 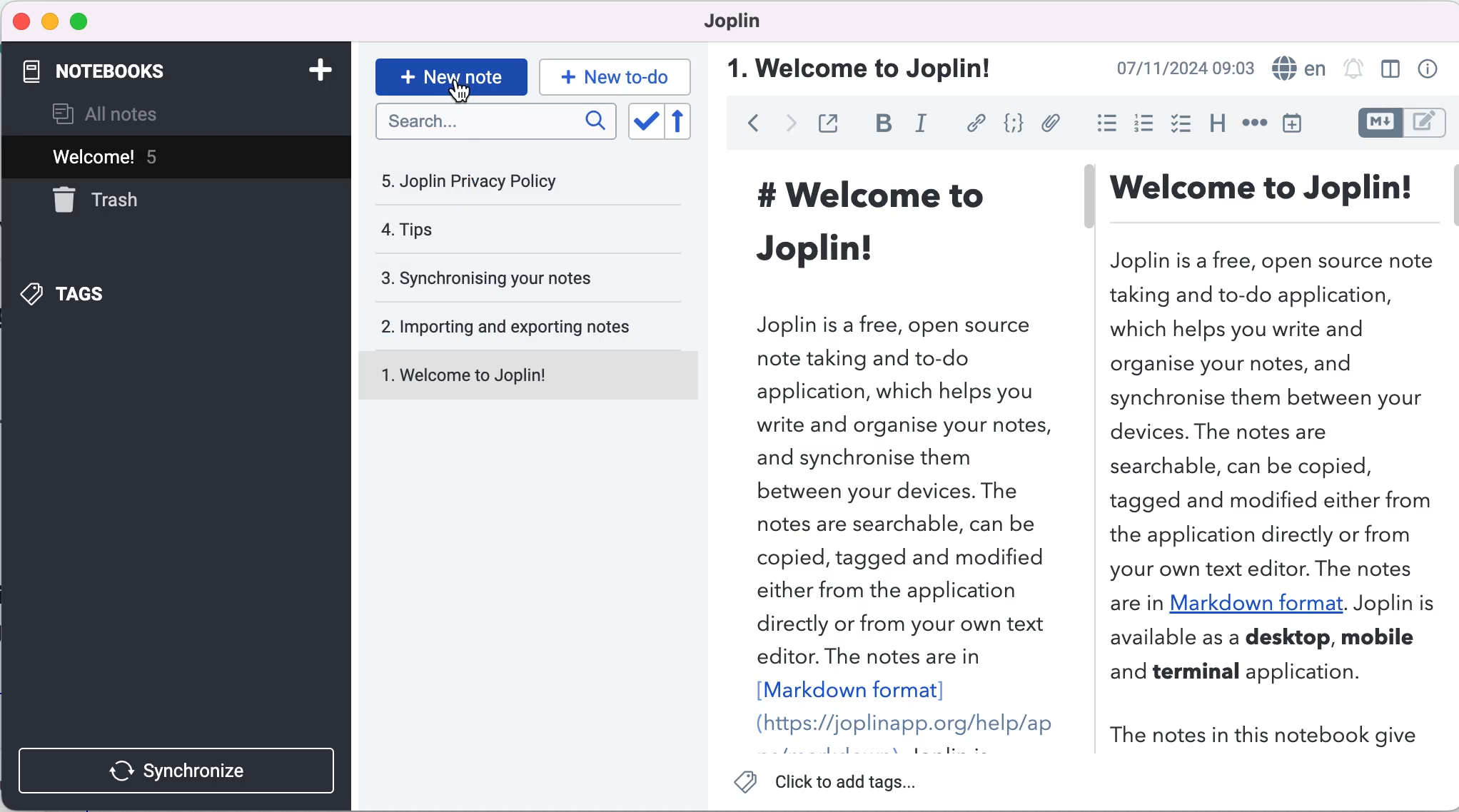 I want to click on synchronising your notes, so click(x=519, y=276).